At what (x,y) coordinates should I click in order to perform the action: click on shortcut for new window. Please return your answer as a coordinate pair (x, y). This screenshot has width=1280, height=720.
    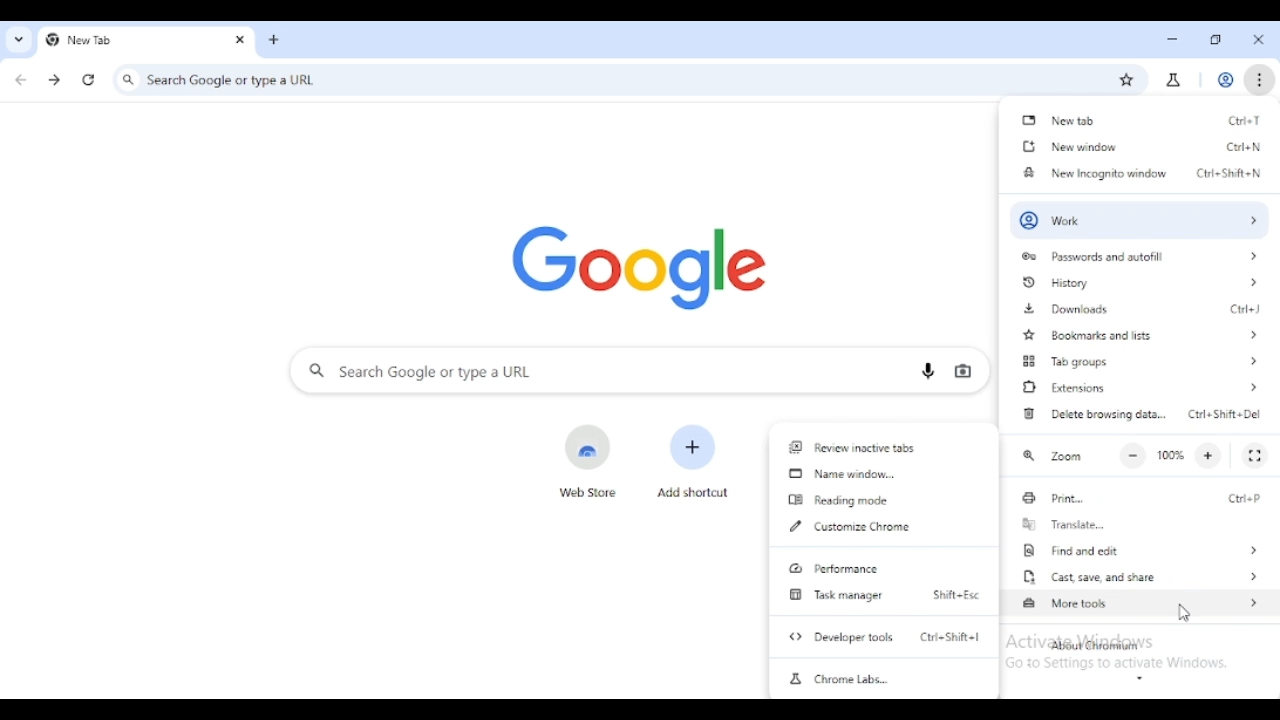
    Looking at the image, I should click on (1243, 147).